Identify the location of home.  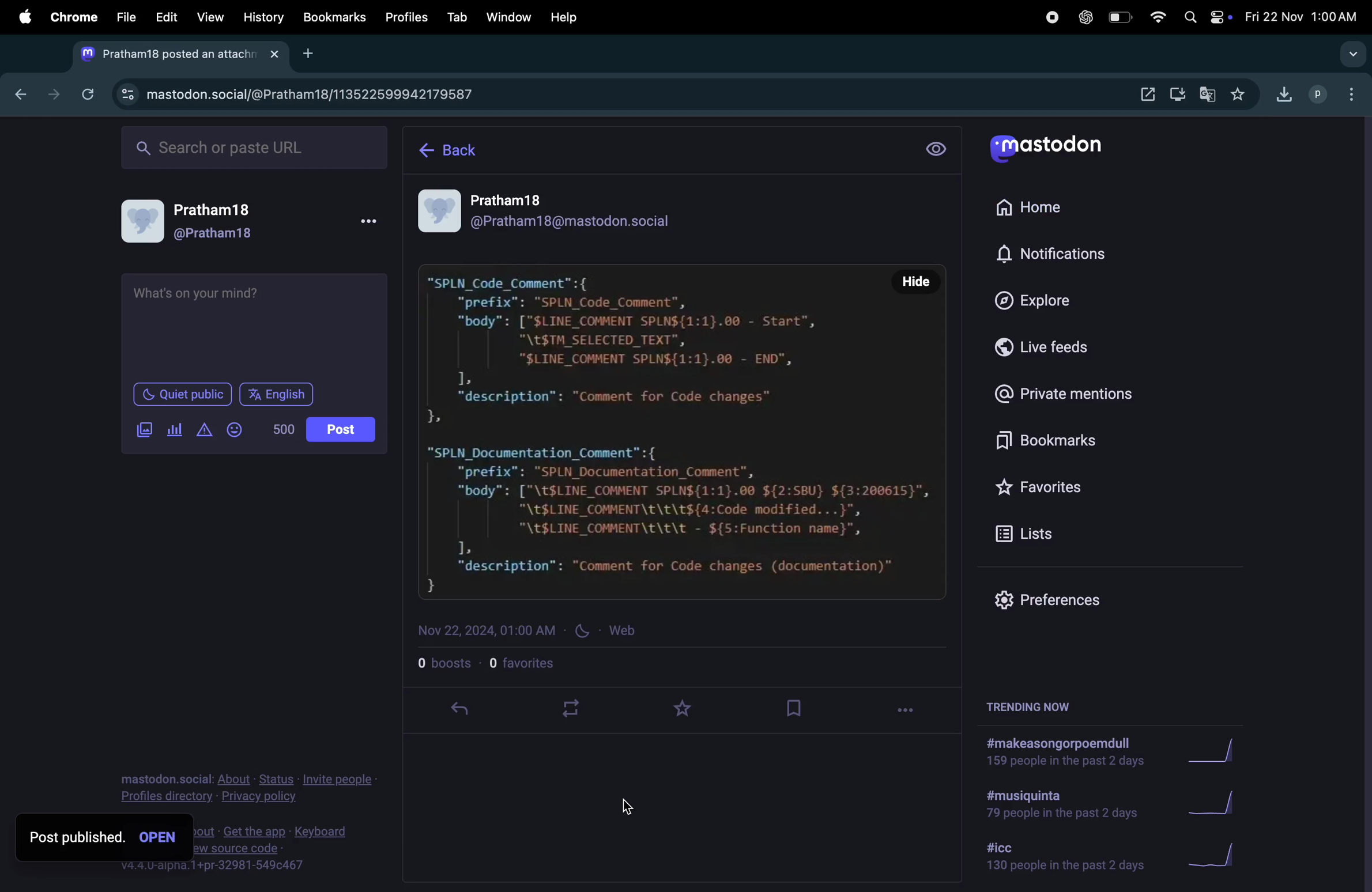
(459, 151).